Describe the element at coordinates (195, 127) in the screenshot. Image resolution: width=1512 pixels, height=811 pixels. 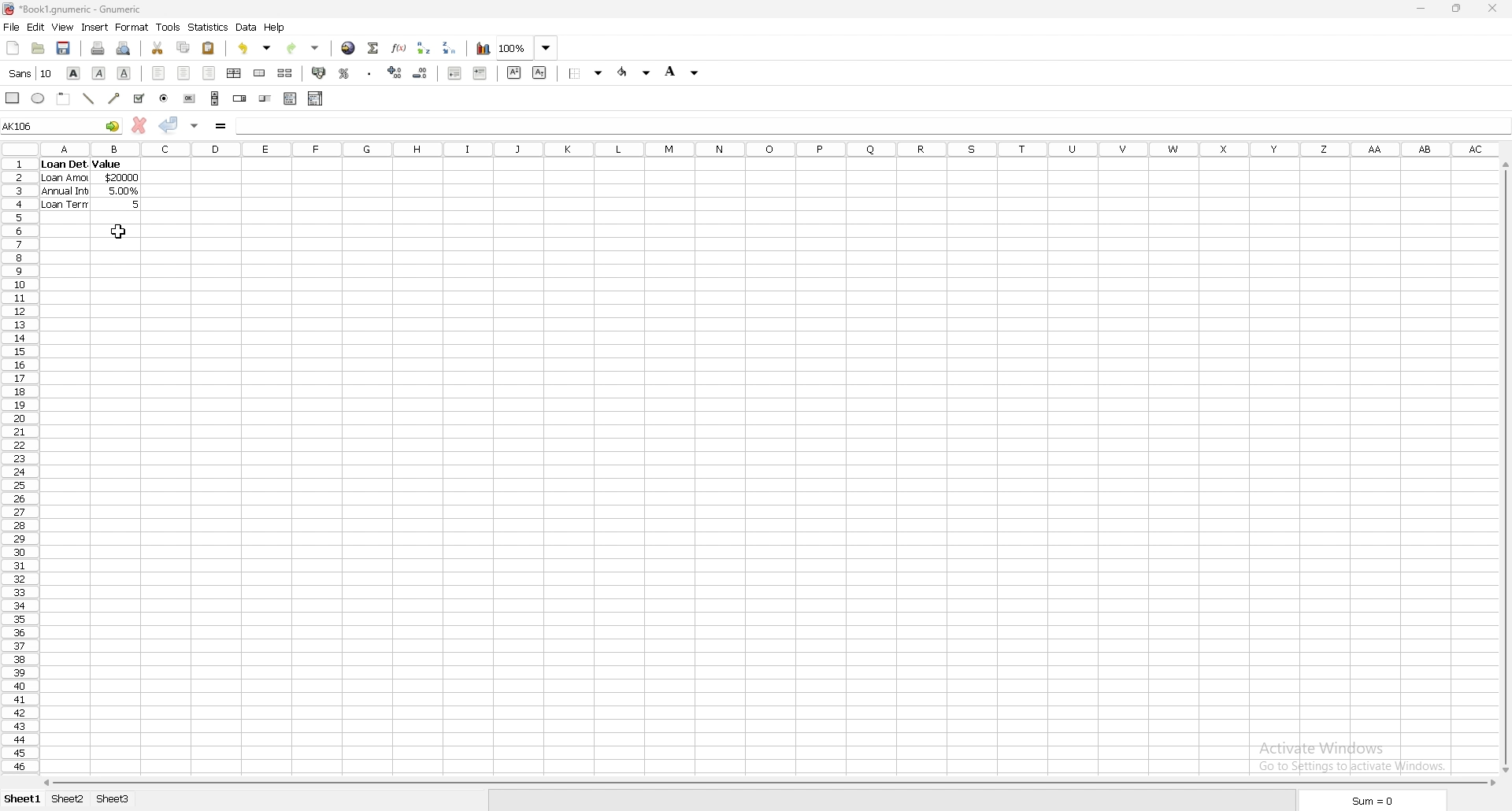
I see `accept changes in all cells` at that location.